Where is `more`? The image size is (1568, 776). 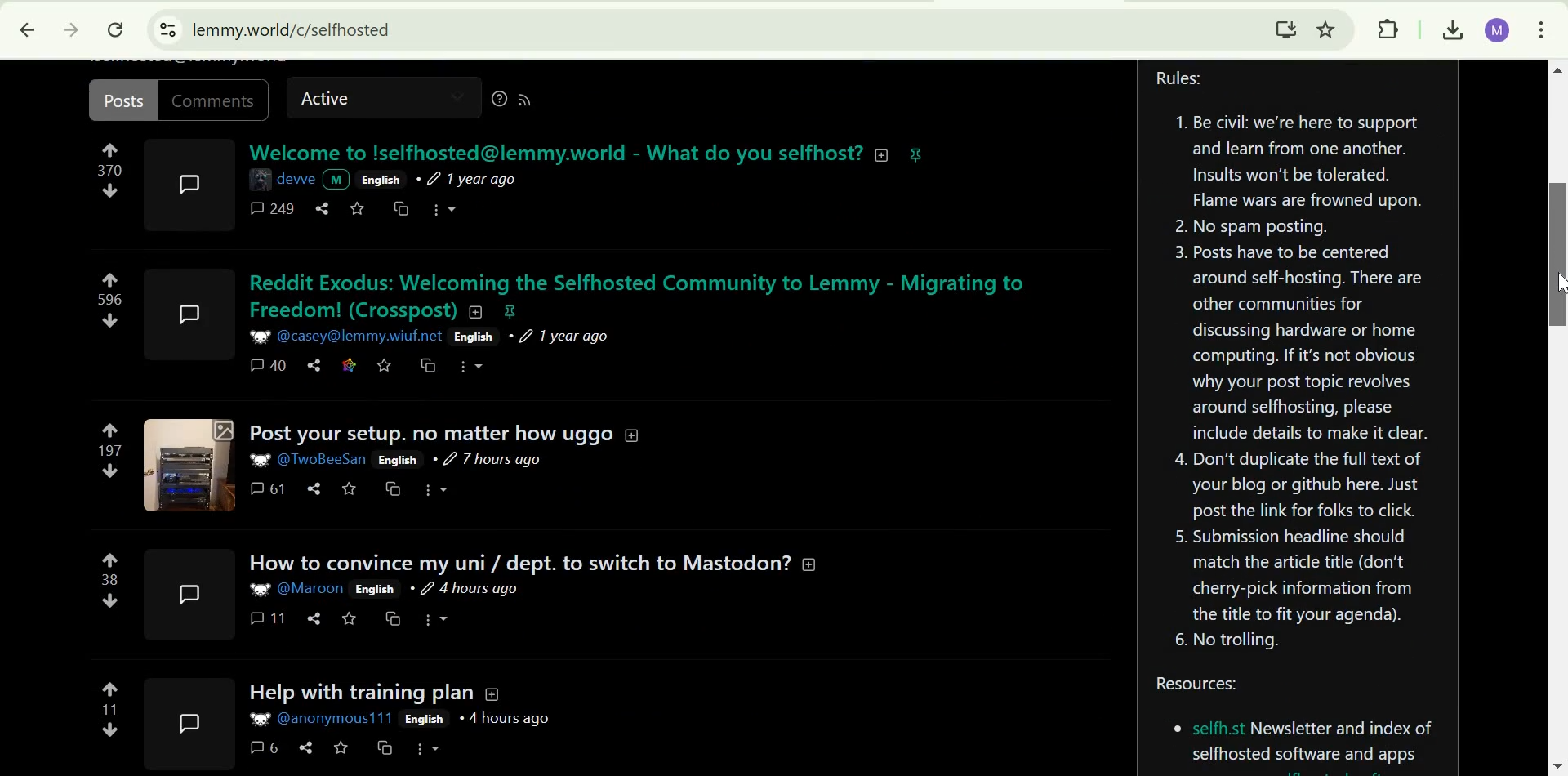
more is located at coordinates (474, 368).